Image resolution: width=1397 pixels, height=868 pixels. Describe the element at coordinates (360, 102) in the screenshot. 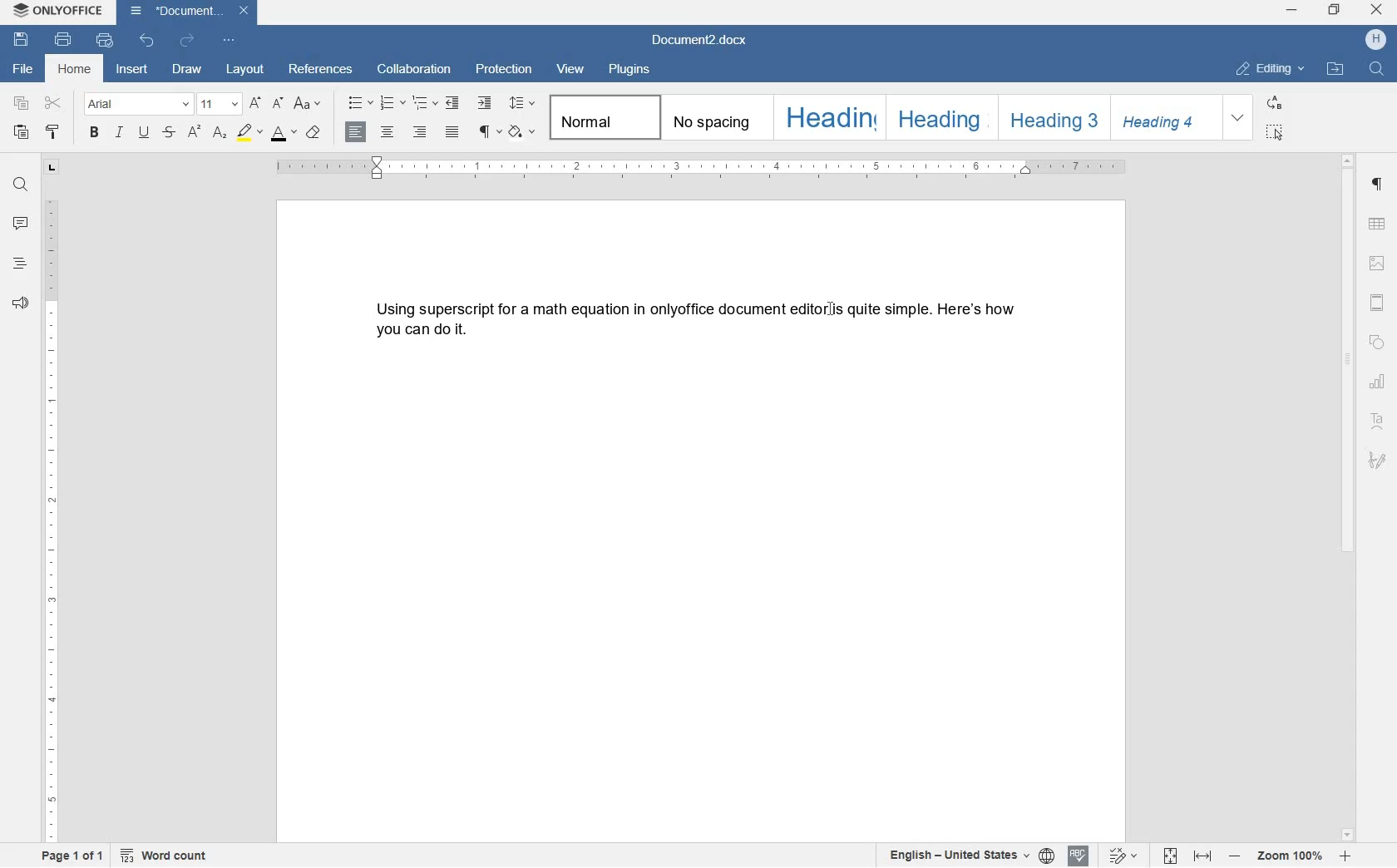

I see `bullets` at that location.